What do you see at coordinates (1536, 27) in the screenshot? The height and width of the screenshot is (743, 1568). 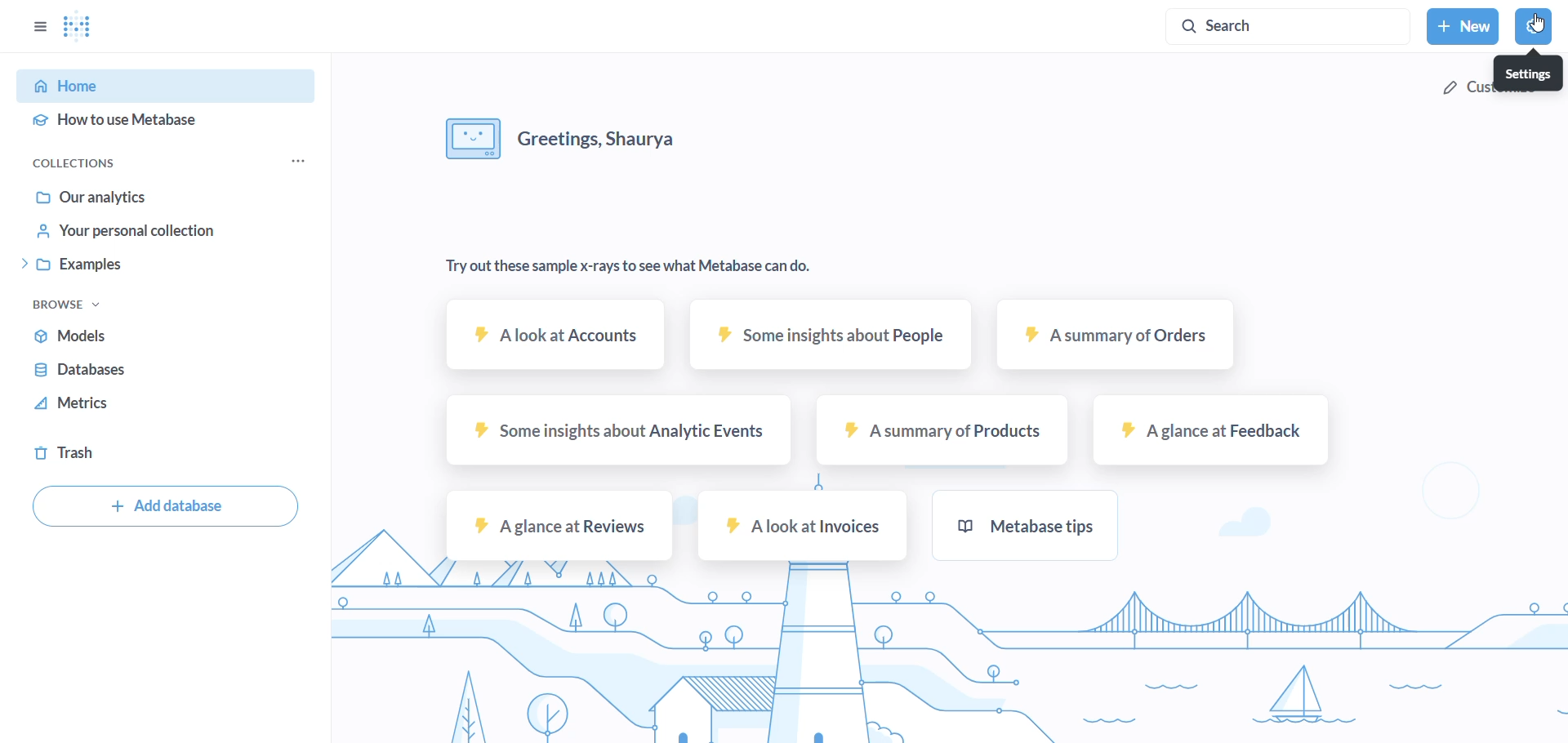 I see `settings` at bounding box center [1536, 27].